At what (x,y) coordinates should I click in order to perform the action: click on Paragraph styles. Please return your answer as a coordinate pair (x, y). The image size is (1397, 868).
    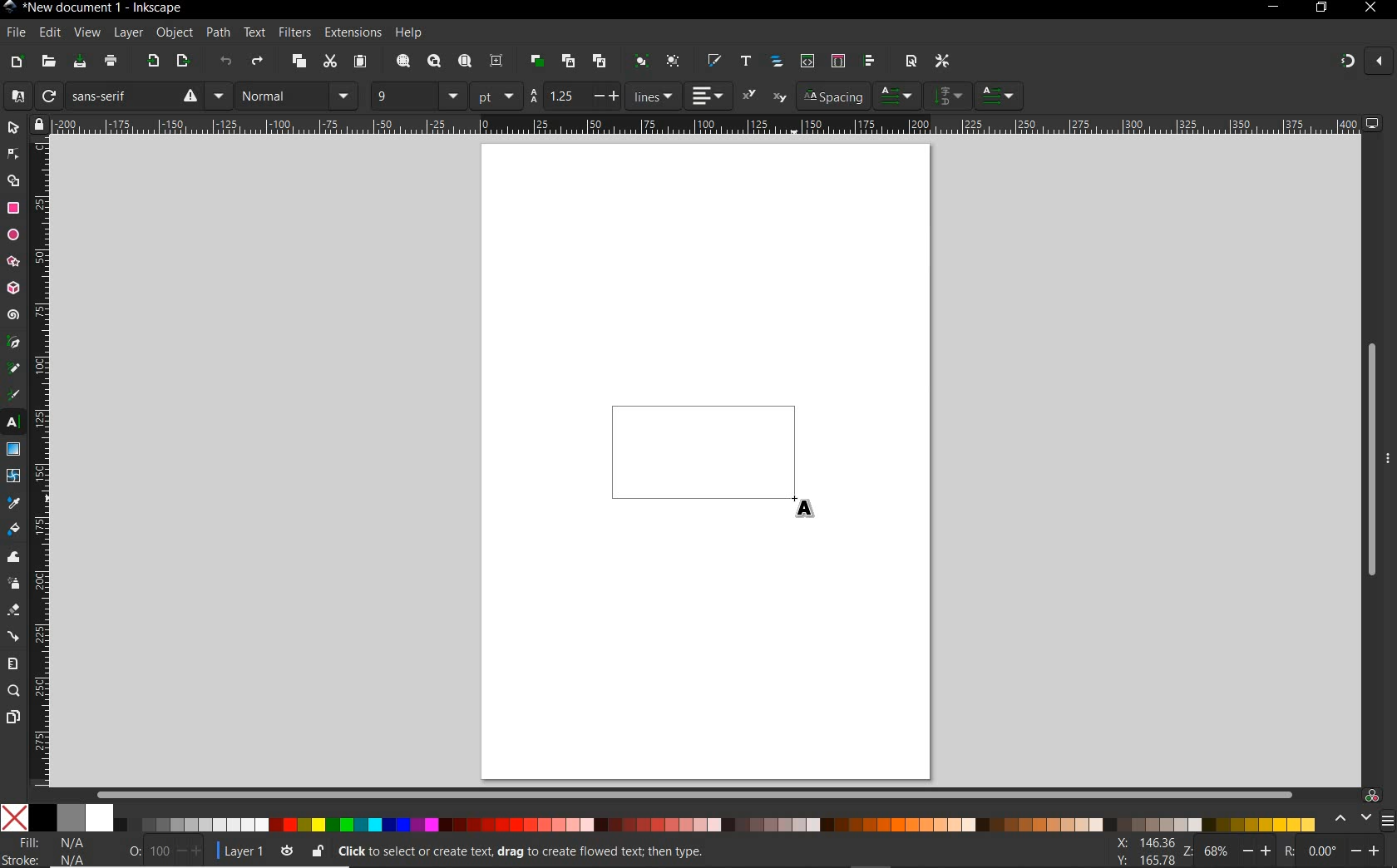
    Looking at the image, I should click on (898, 96).